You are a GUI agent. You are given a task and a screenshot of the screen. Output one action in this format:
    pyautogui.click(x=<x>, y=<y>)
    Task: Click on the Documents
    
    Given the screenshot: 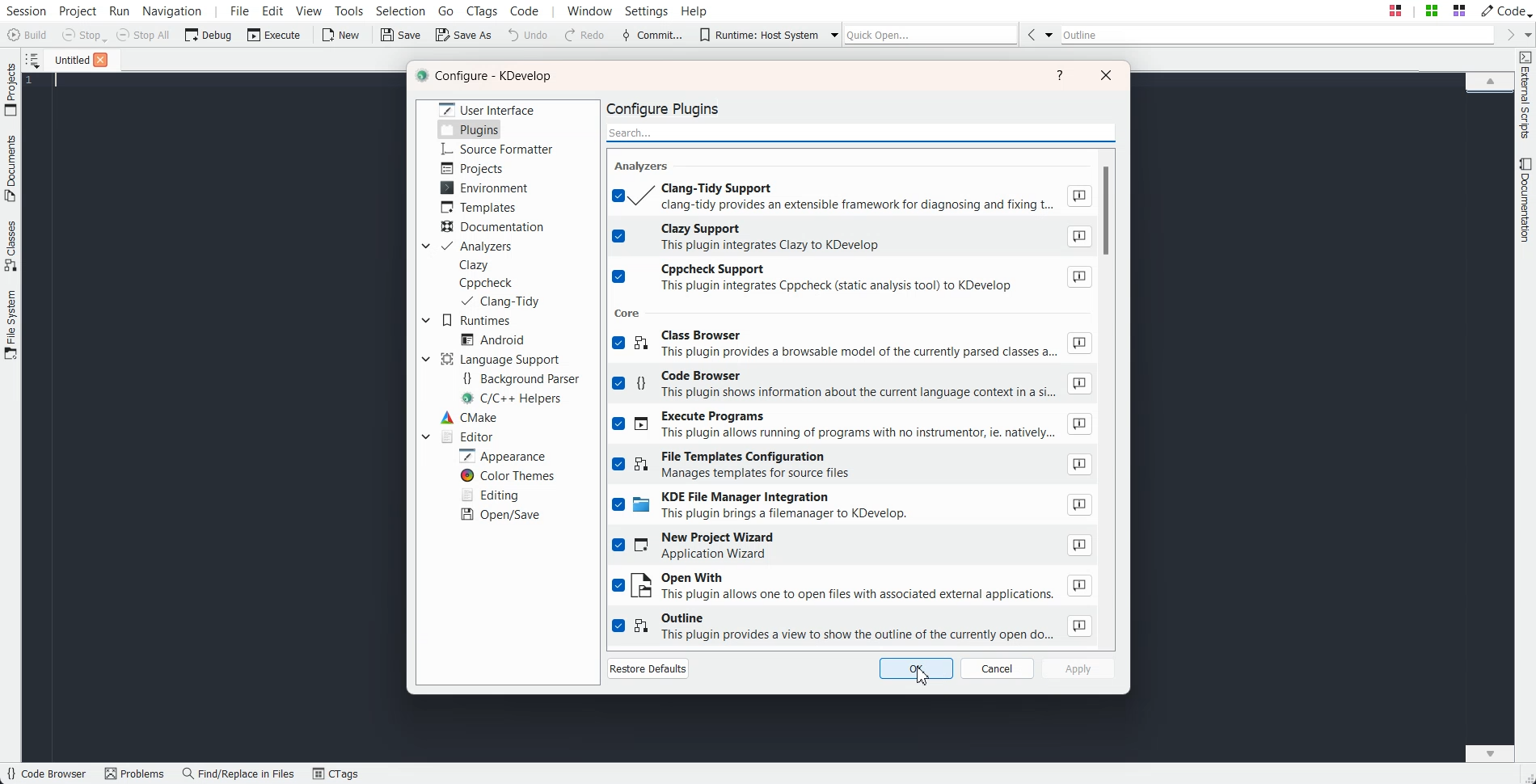 What is the action you would take?
    pyautogui.click(x=11, y=168)
    